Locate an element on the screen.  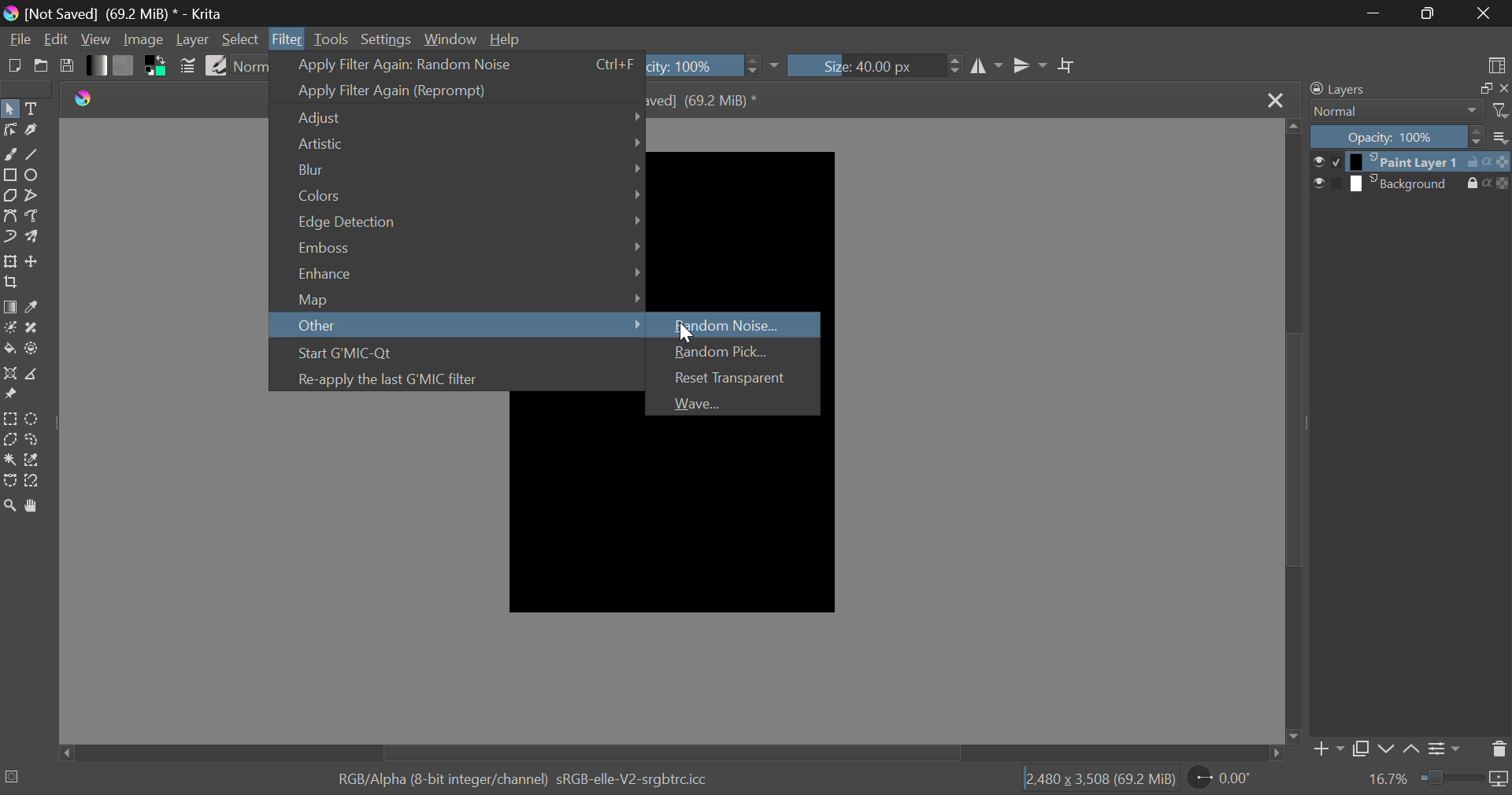
Circular Selection is located at coordinates (35, 419).